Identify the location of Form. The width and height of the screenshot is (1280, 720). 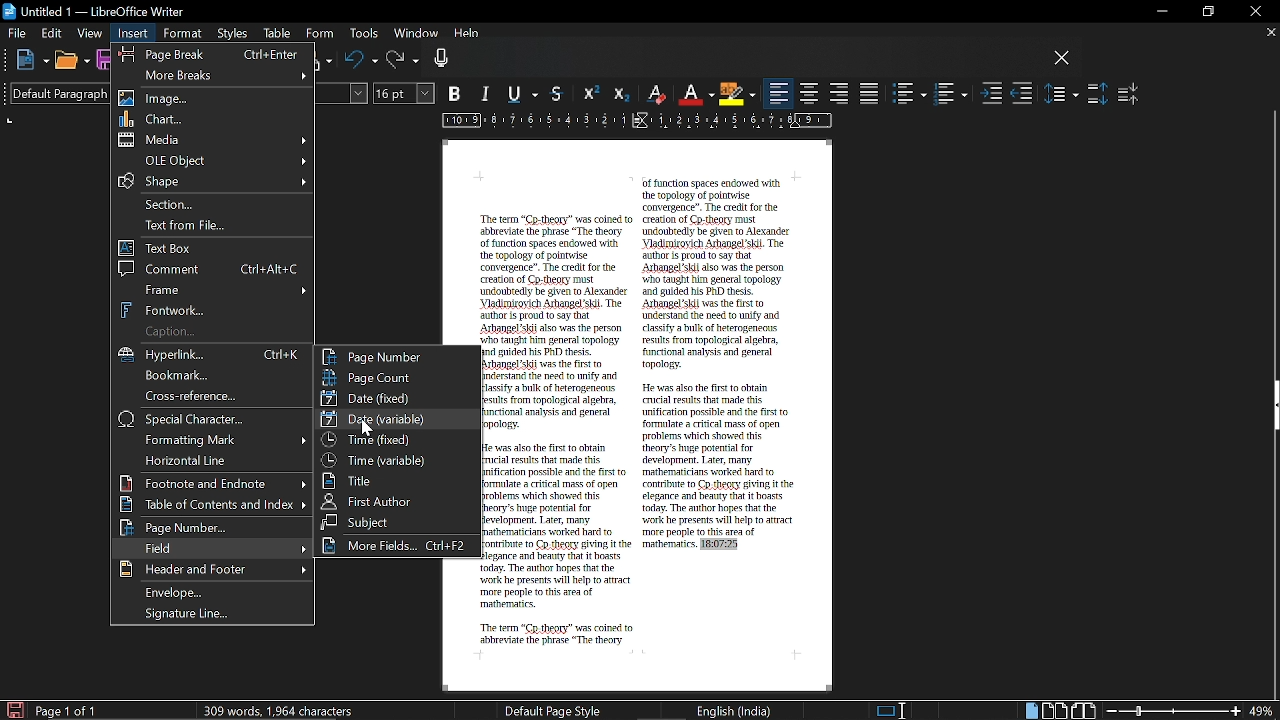
(320, 34).